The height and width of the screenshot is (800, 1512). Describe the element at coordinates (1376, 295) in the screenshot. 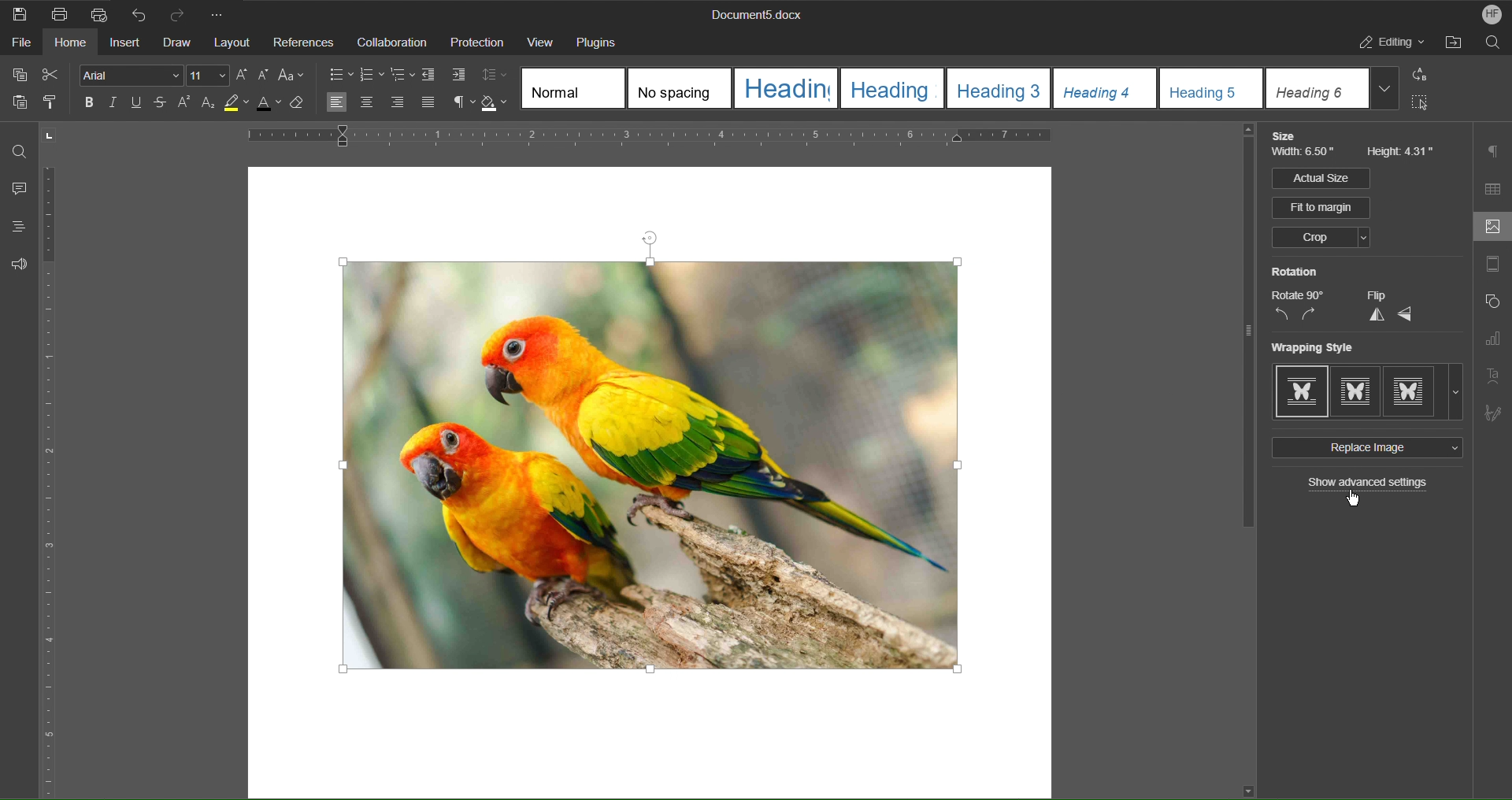

I see `Flip` at that location.